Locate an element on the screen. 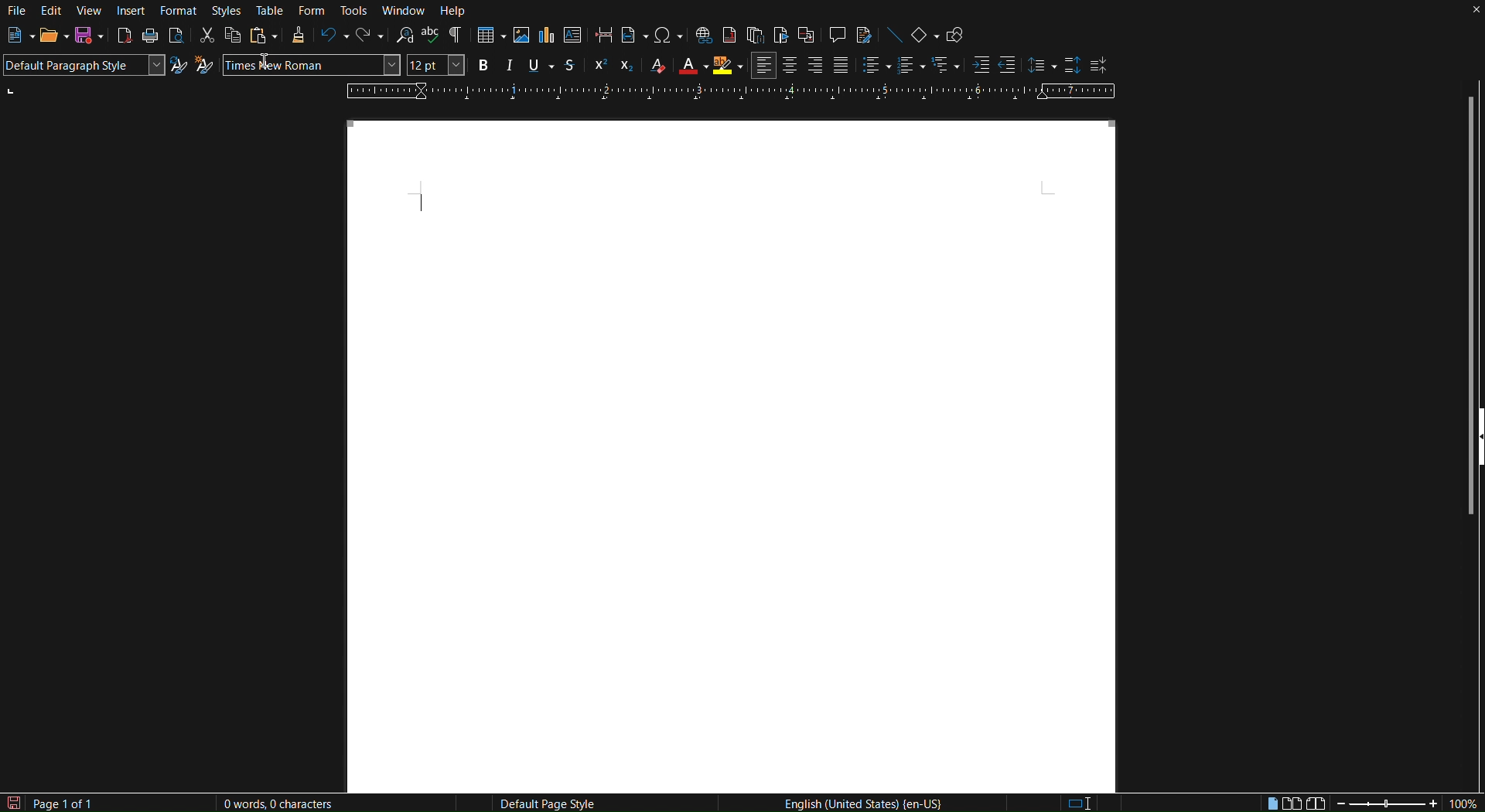  Save is located at coordinates (90, 37).